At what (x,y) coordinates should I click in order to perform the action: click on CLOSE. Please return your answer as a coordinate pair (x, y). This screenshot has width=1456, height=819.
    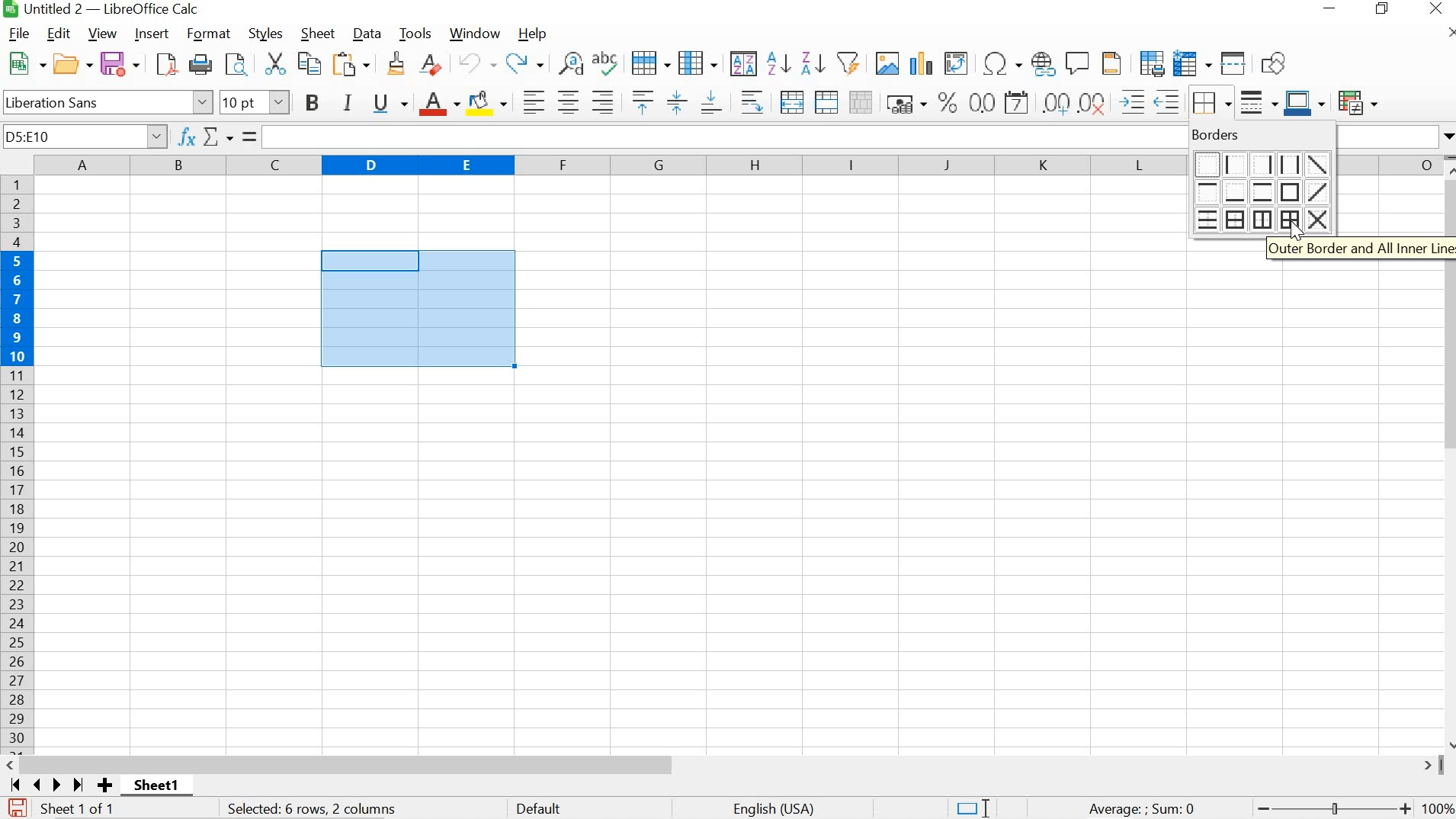
    Looking at the image, I should click on (1451, 32).